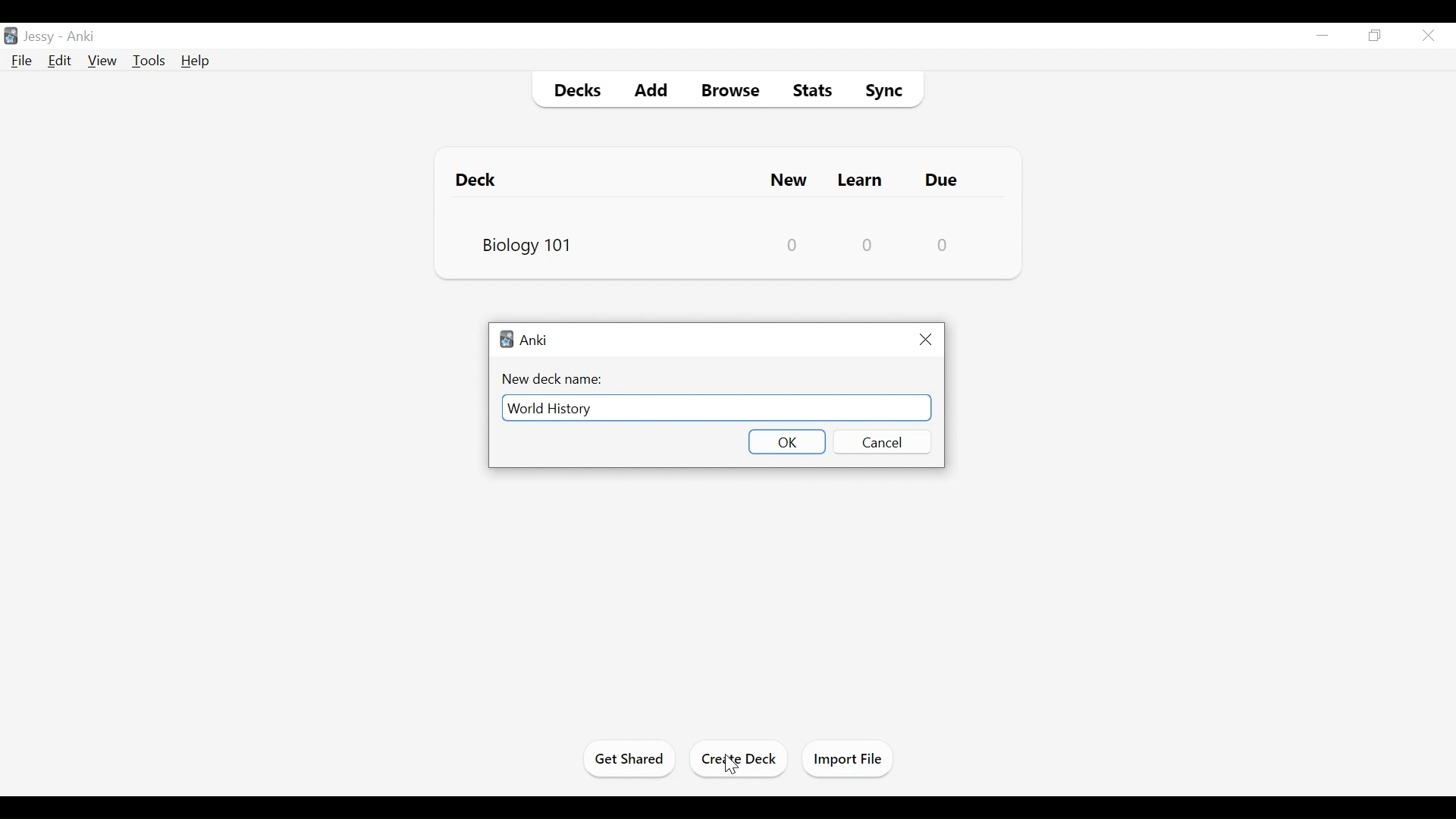 The image size is (1456, 819). I want to click on Stats, so click(808, 87).